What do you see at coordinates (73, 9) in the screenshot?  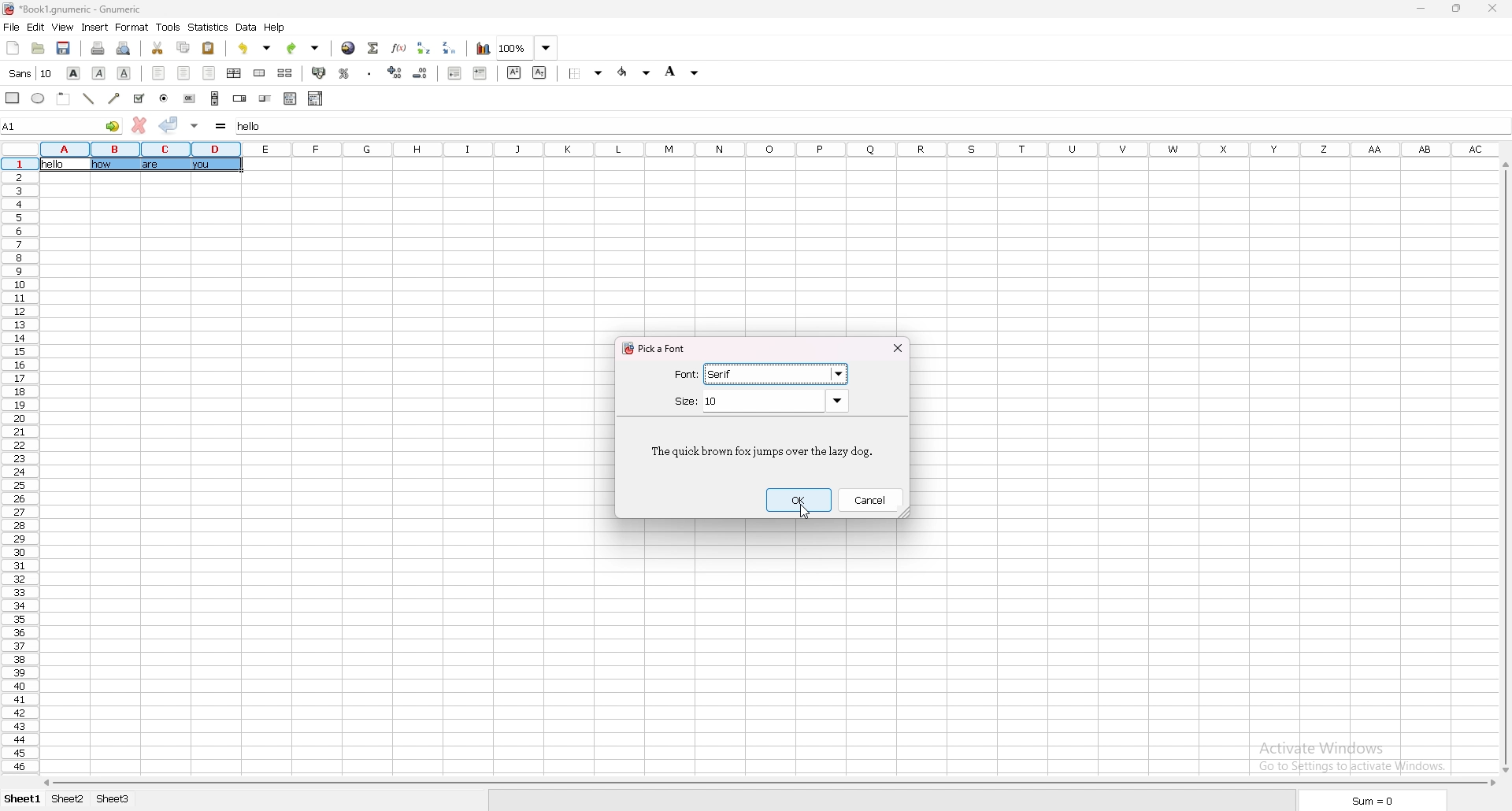 I see `file name` at bounding box center [73, 9].